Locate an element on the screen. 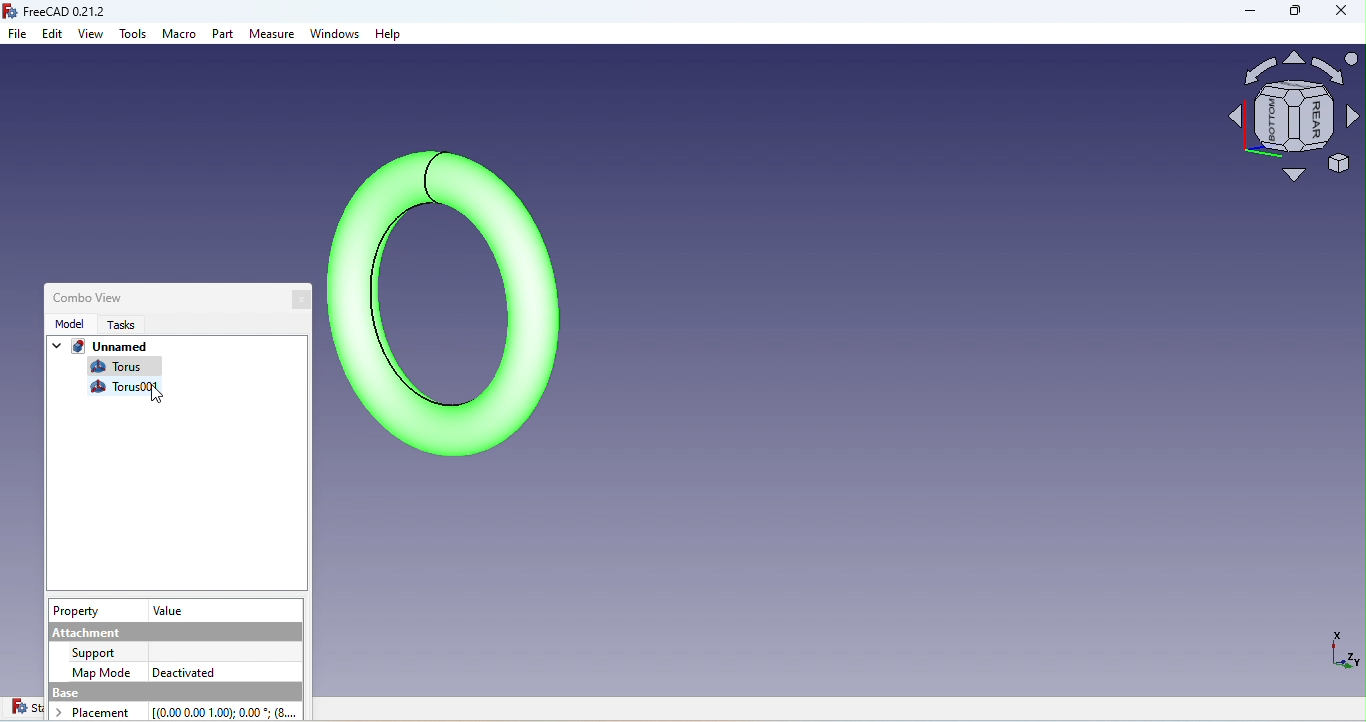 The image size is (1366, 722). base is located at coordinates (171, 692).